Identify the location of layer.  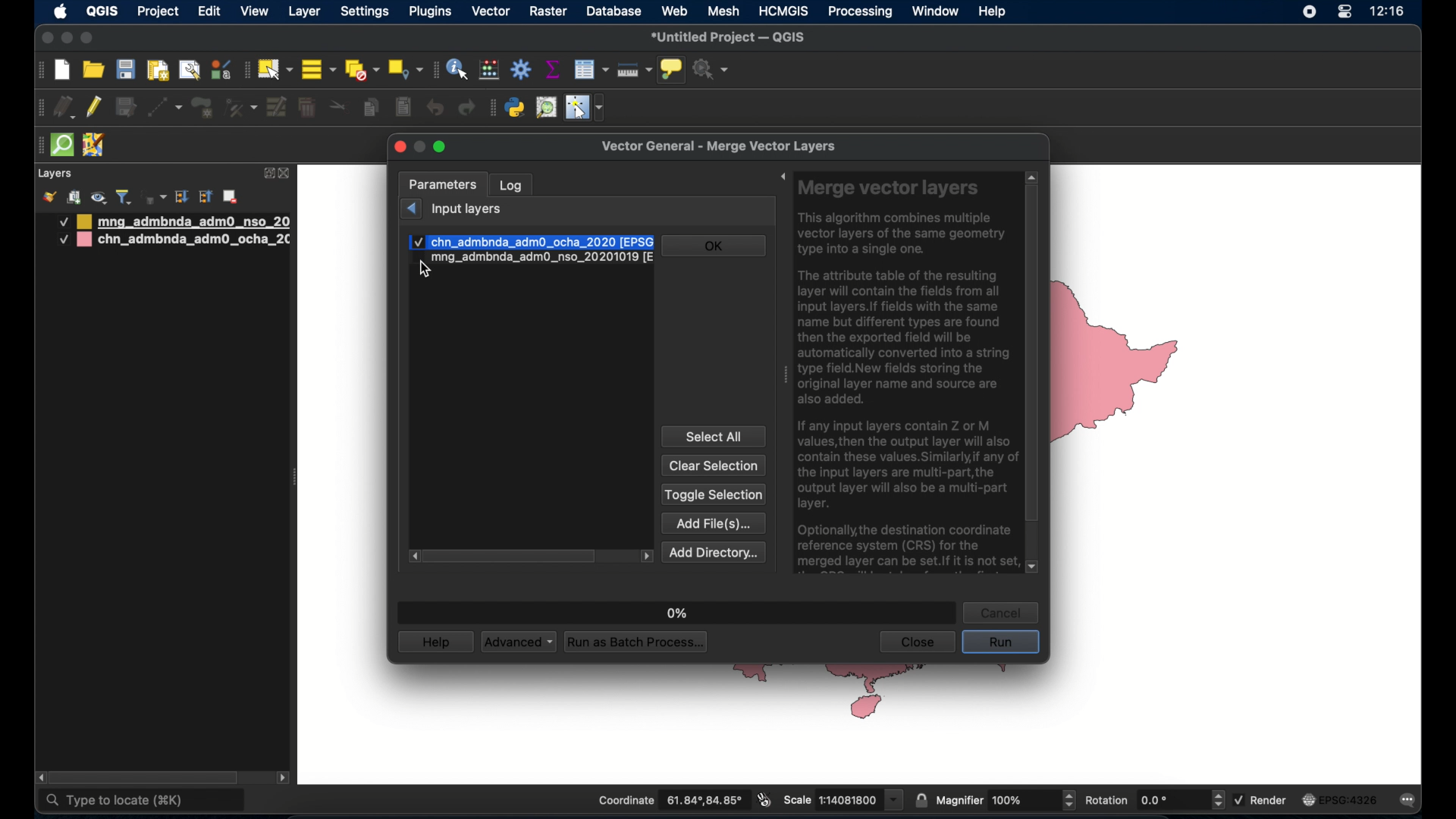
(306, 11).